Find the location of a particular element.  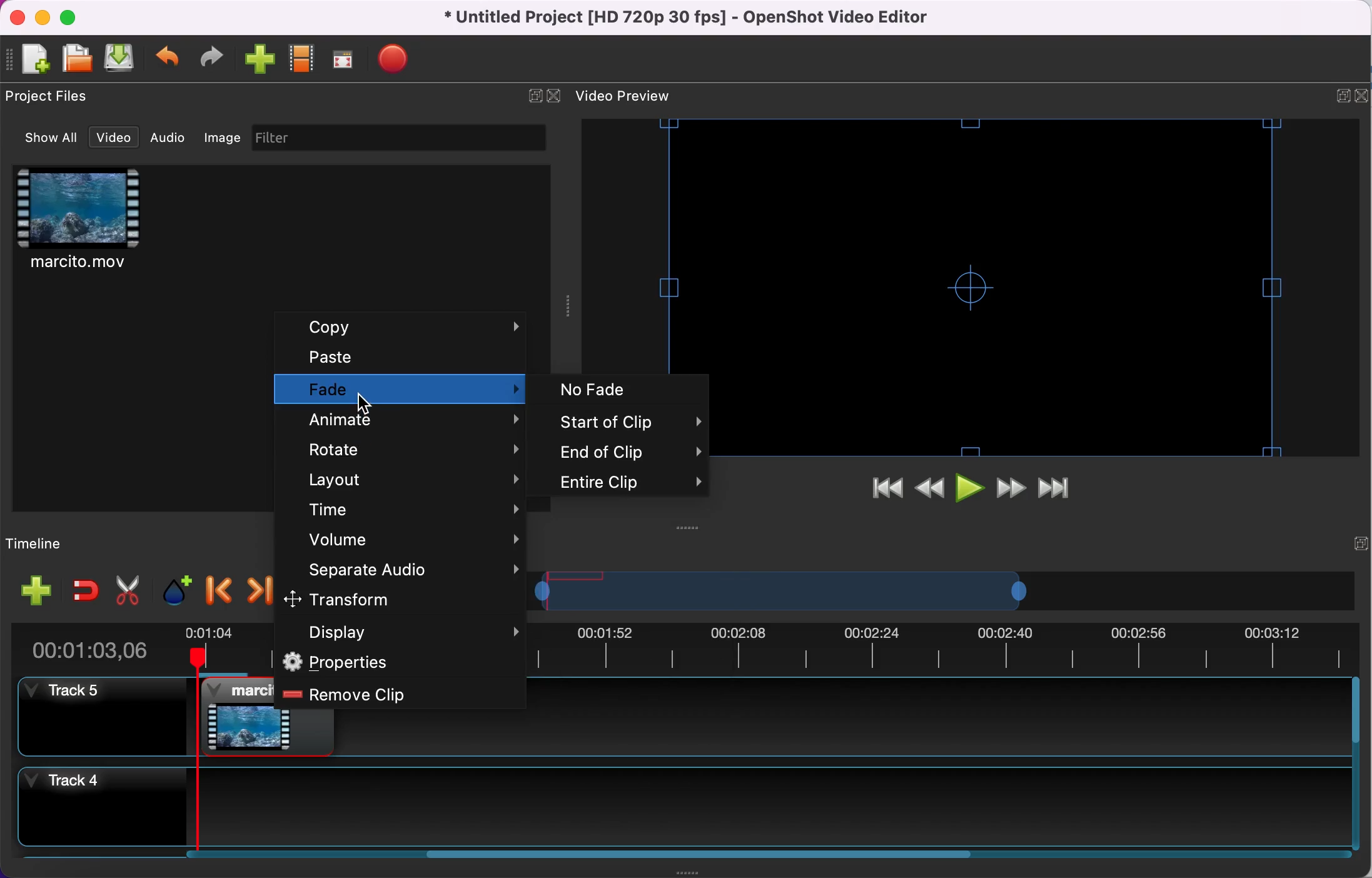

cut is located at coordinates (123, 591).